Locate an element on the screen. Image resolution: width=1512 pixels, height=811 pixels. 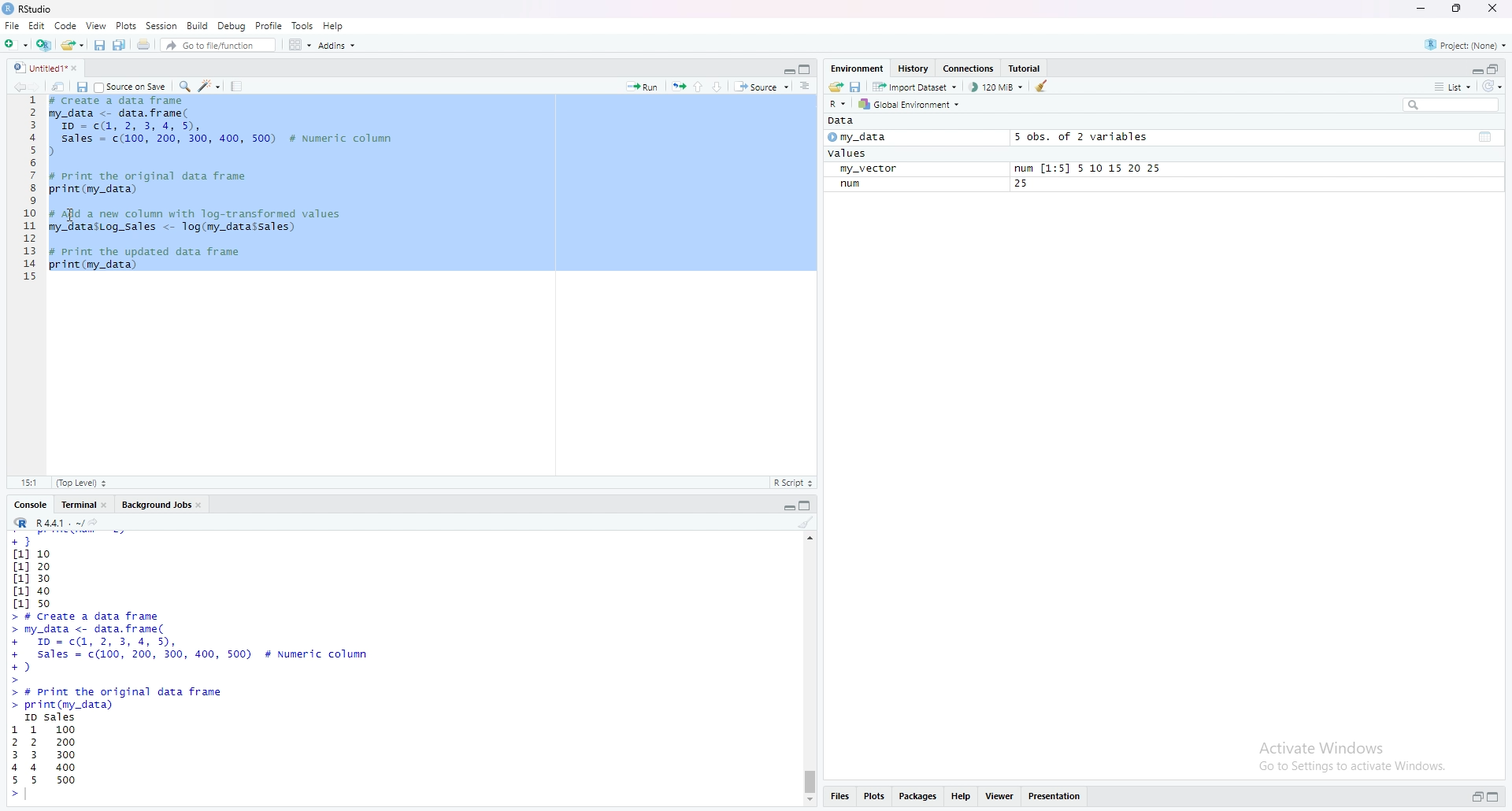
Plots is located at coordinates (121, 26).